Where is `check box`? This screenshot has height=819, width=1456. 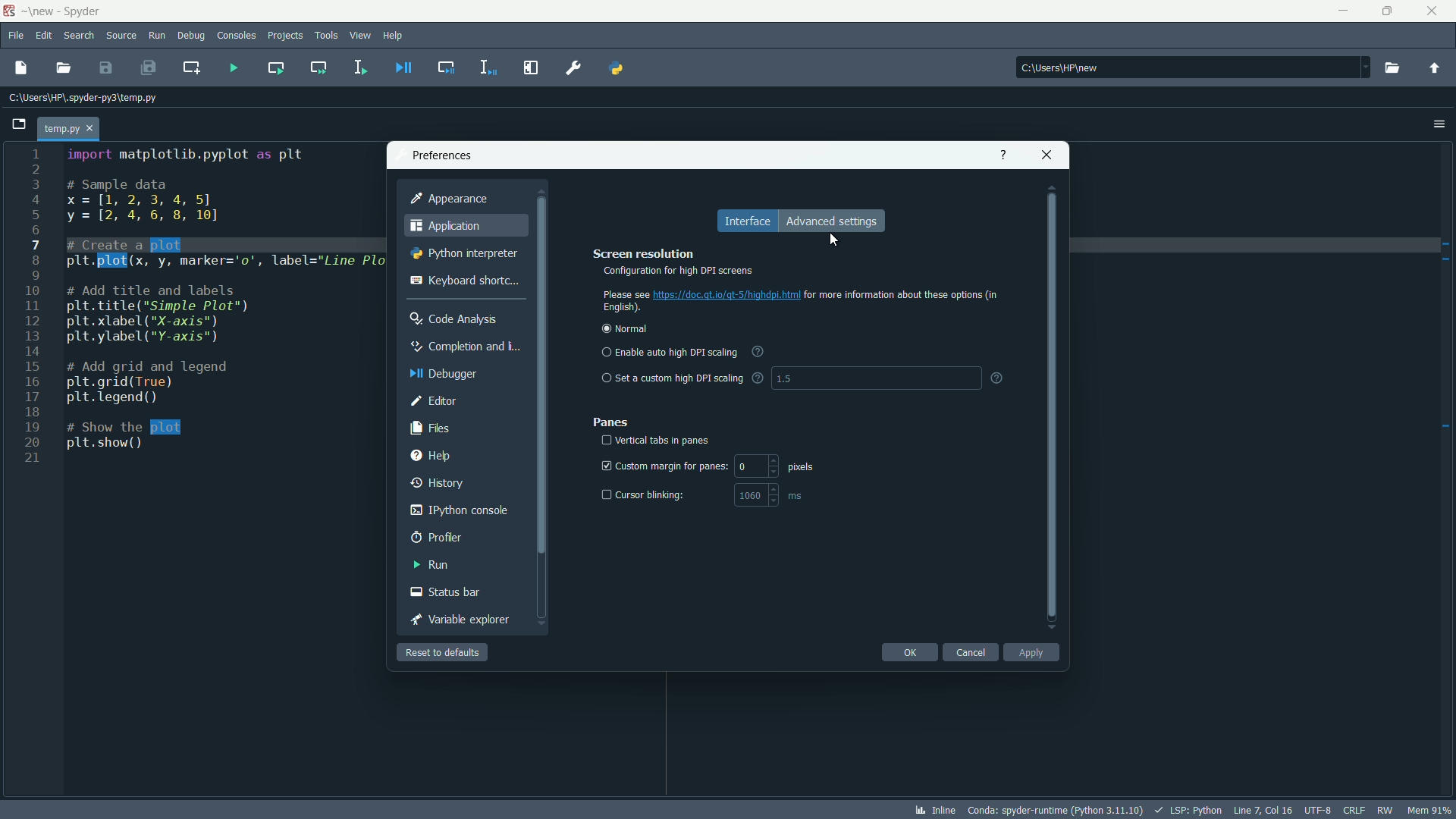 check box is located at coordinates (603, 494).